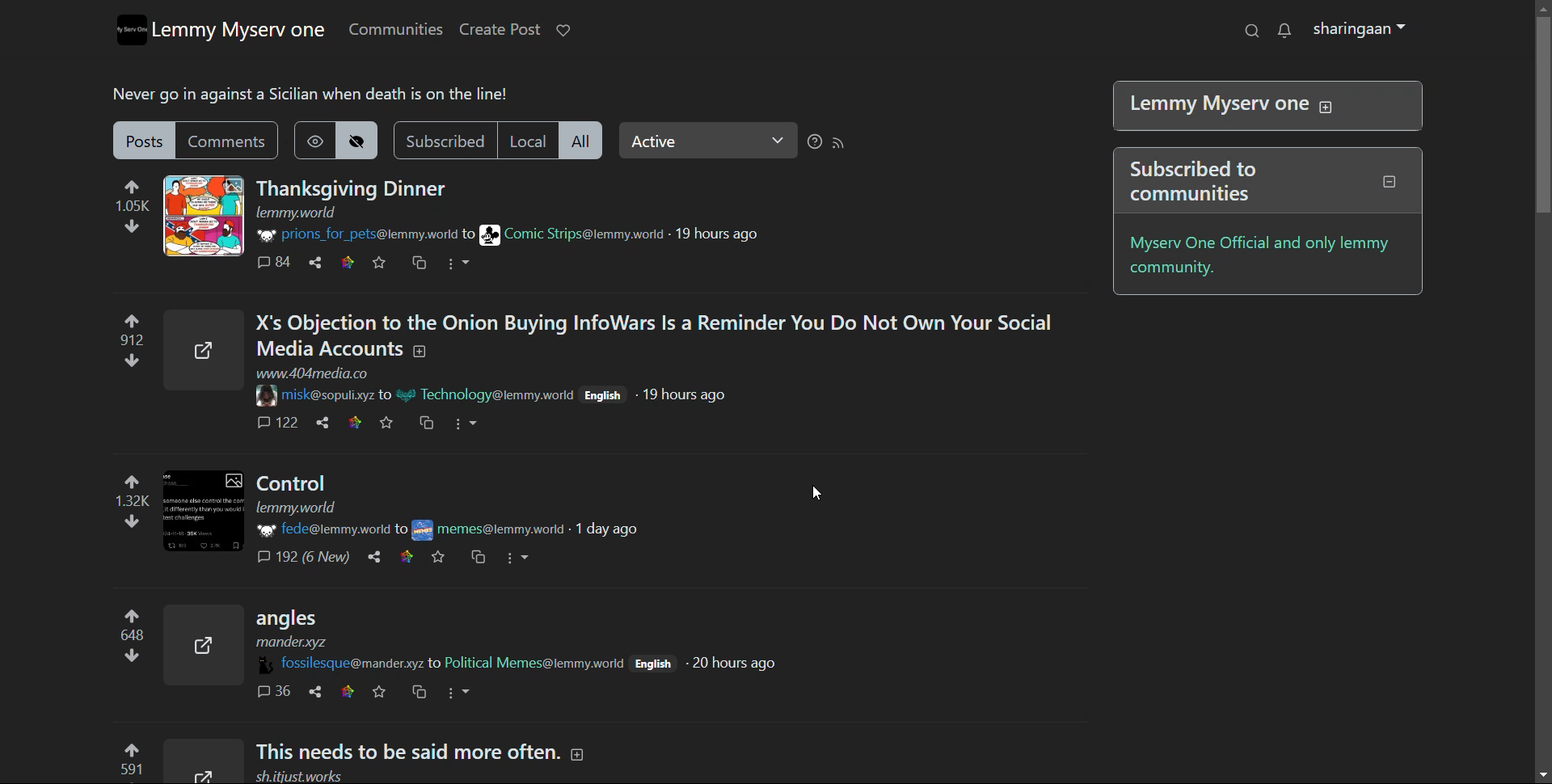 The width and height of the screenshot is (1552, 784). What do you see at coordinates (395, 29) in the screenshot?
I see `communities` at bounding box center [395, 29].